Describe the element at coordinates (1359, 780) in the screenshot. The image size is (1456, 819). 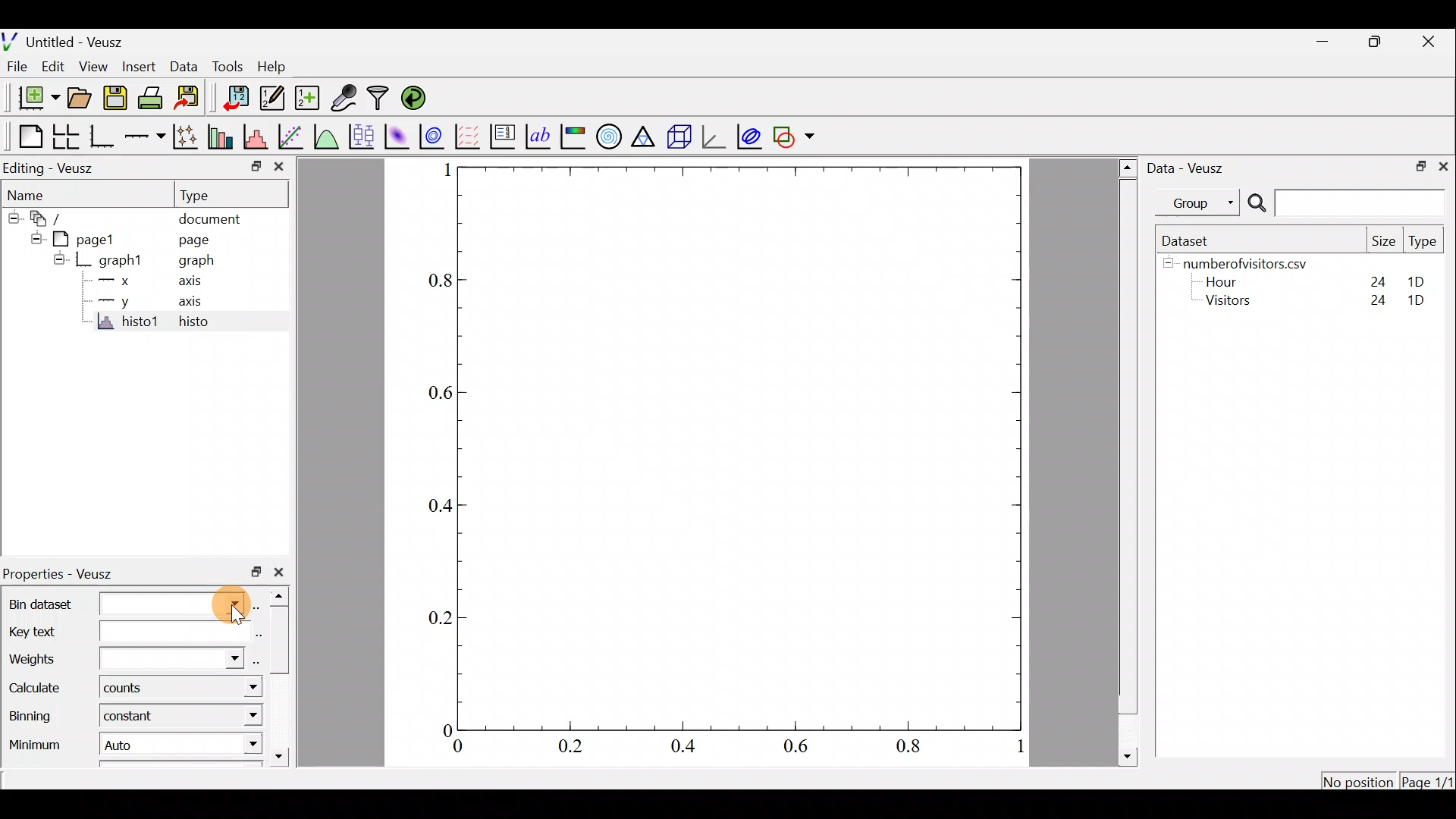
I see `No position` at that location.